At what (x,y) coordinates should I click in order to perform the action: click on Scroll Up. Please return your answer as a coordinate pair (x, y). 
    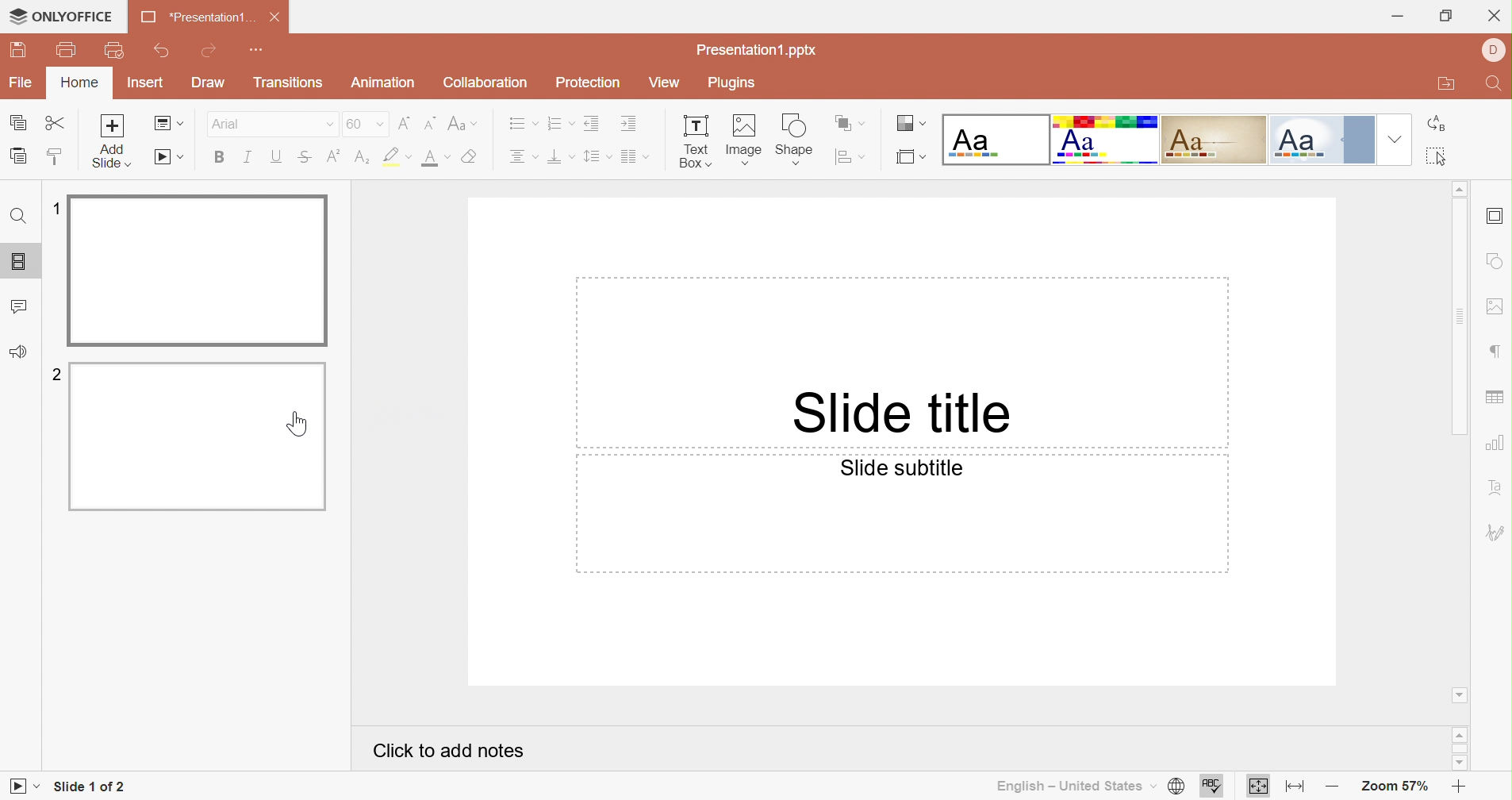
    Looking at the image, I should click on (1459, 190).